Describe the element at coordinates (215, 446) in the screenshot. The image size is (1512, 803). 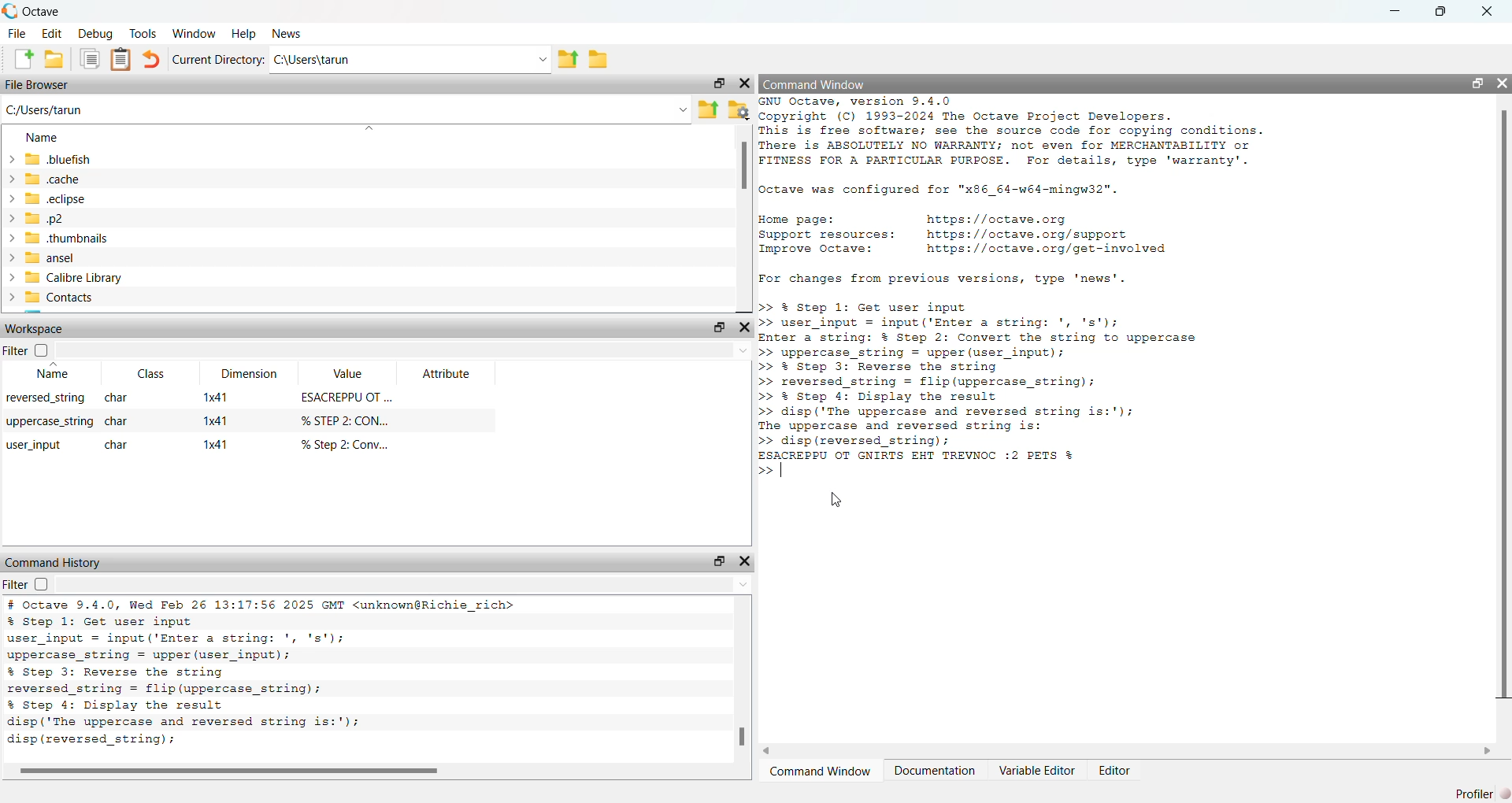
I see `1x41` at that location.